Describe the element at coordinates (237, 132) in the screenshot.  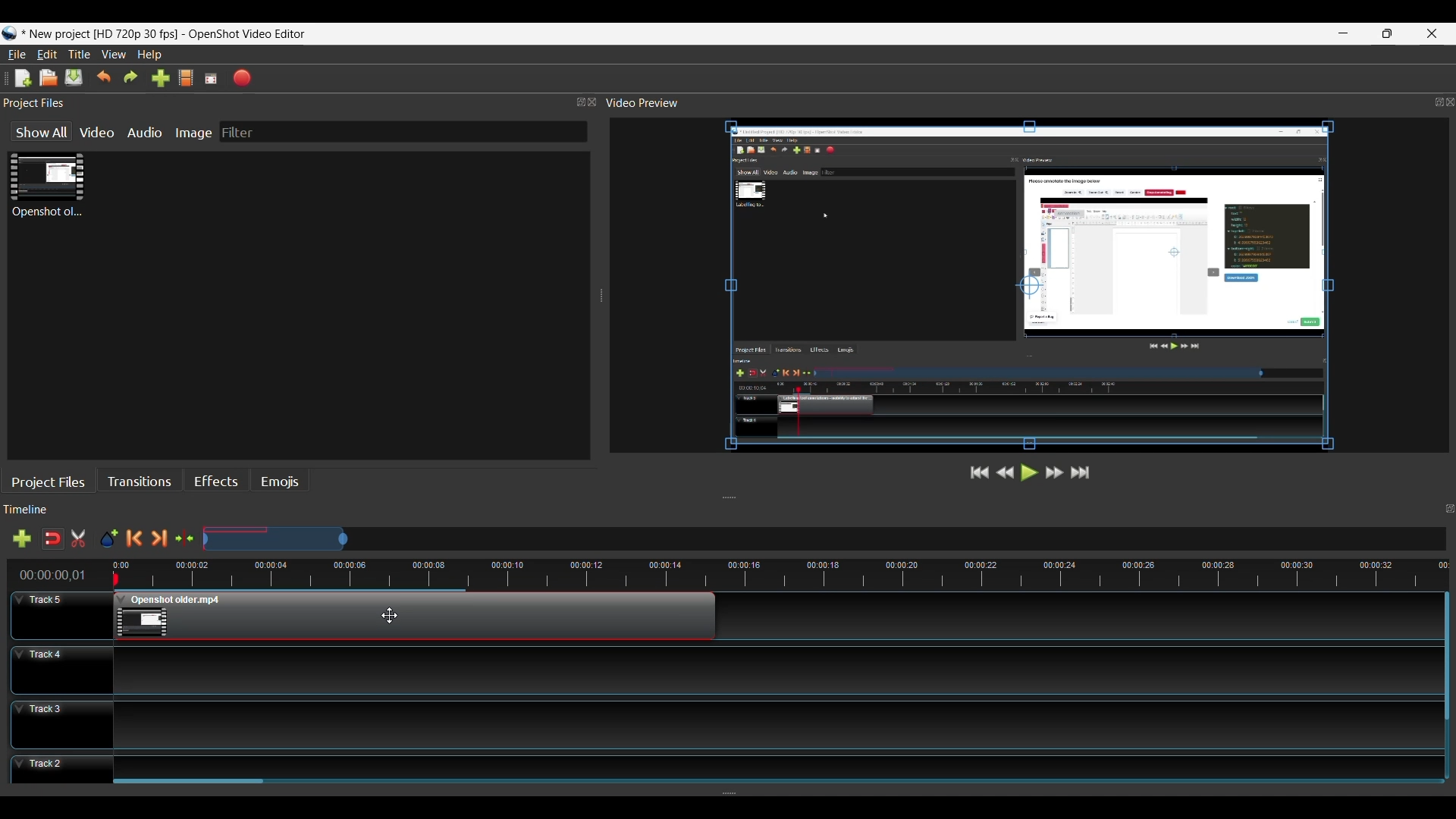
I see `Filter` at that location.